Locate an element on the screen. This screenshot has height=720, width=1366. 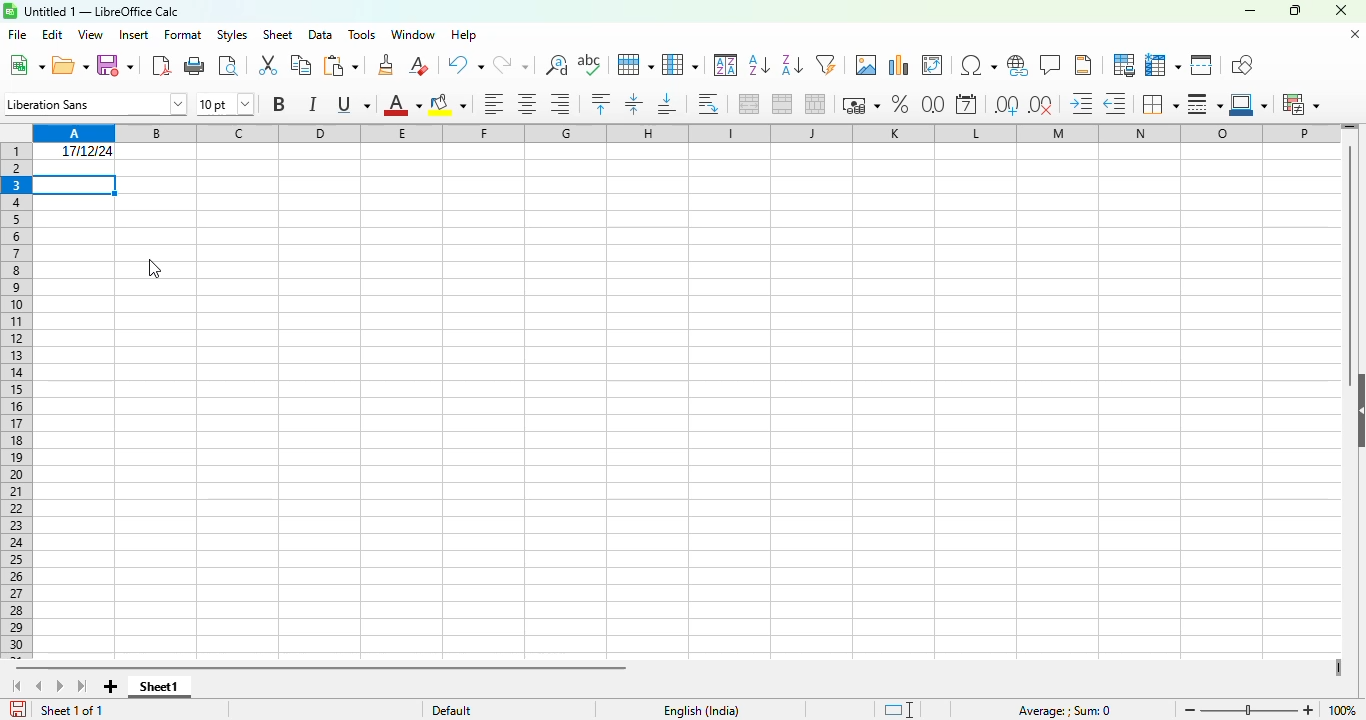
paste is located at coordinates (340, 66).